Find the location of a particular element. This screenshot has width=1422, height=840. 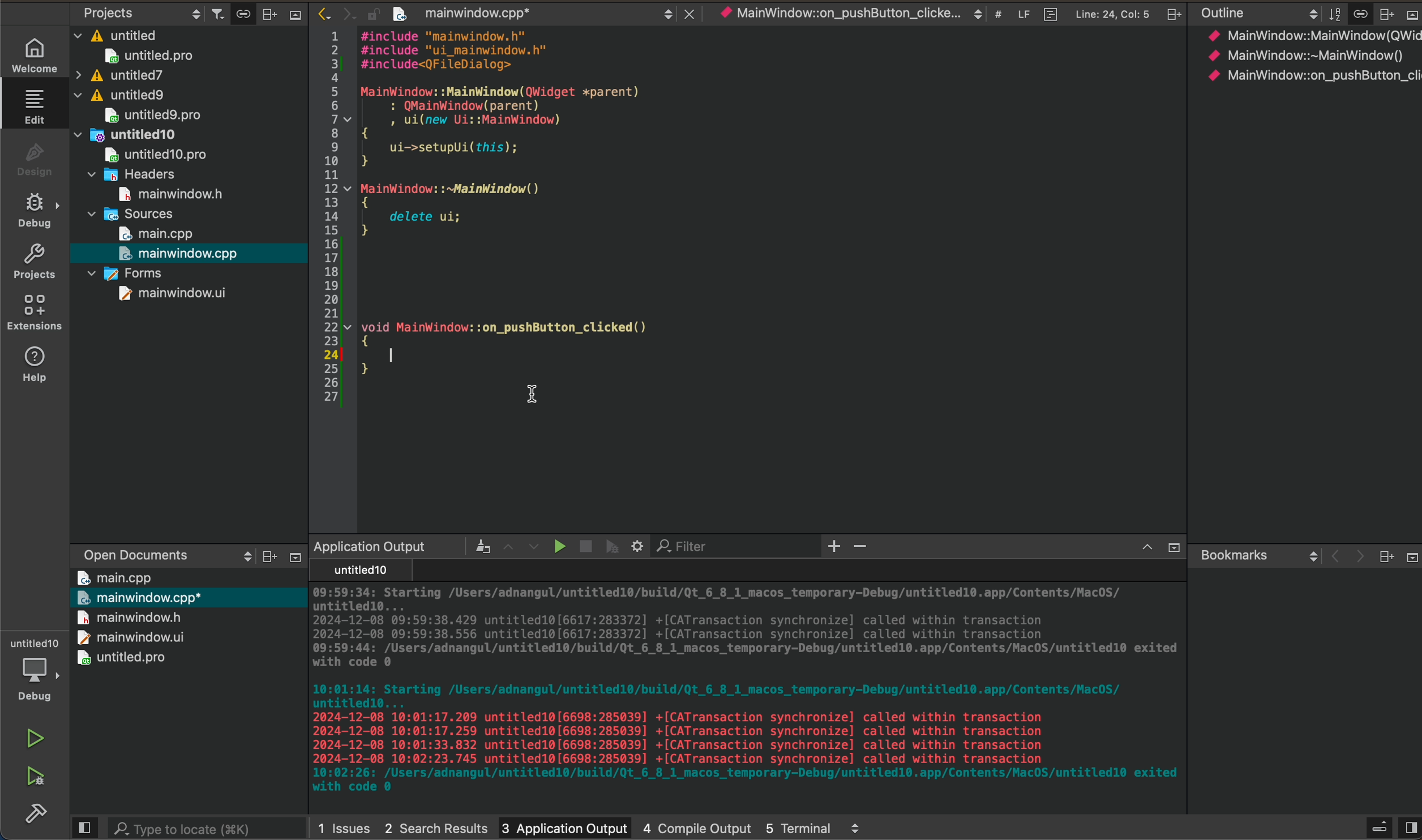

Outline scroll is located at coordinates (1257, 14).